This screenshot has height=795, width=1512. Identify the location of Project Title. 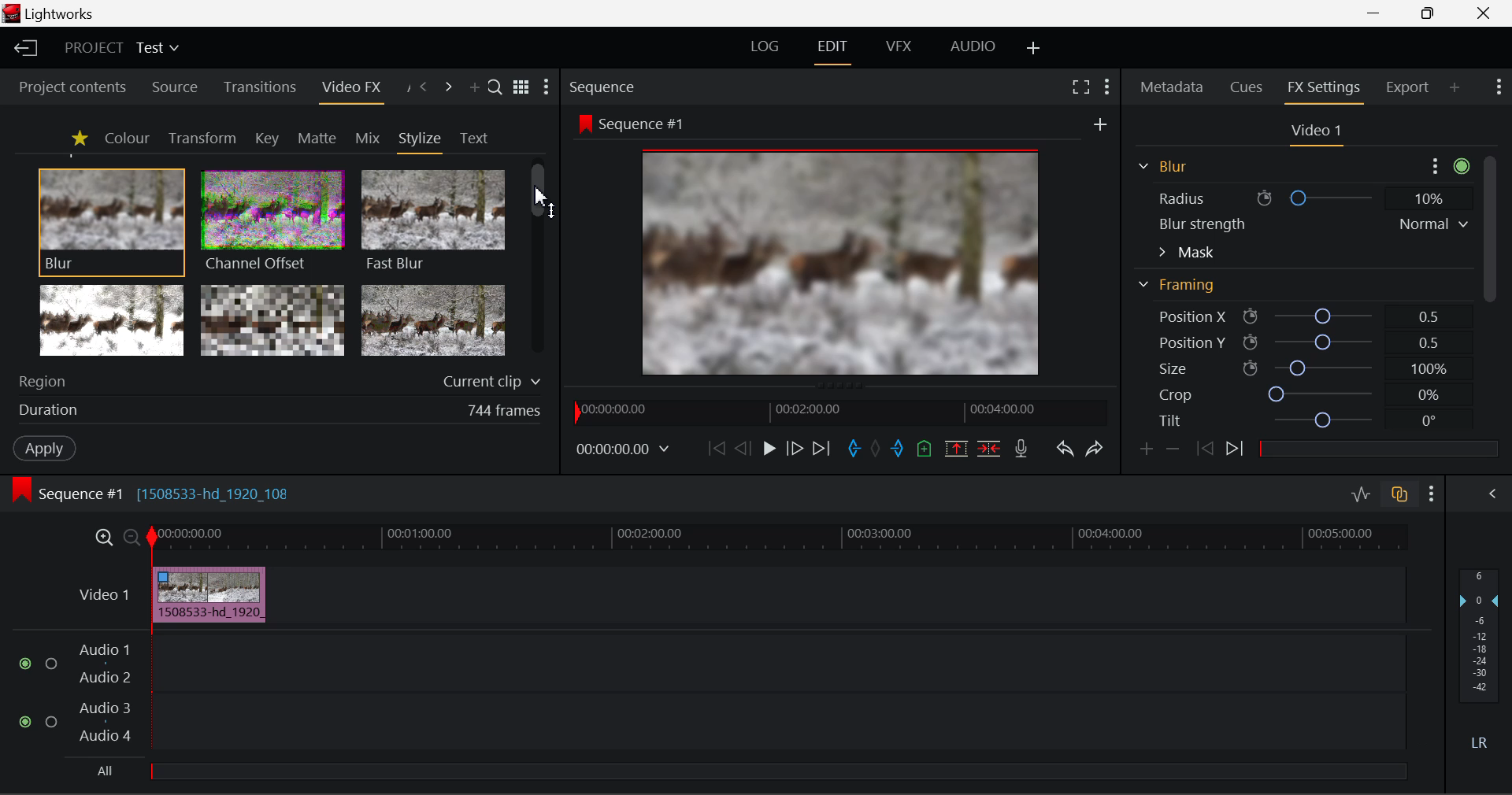
(120, 50).